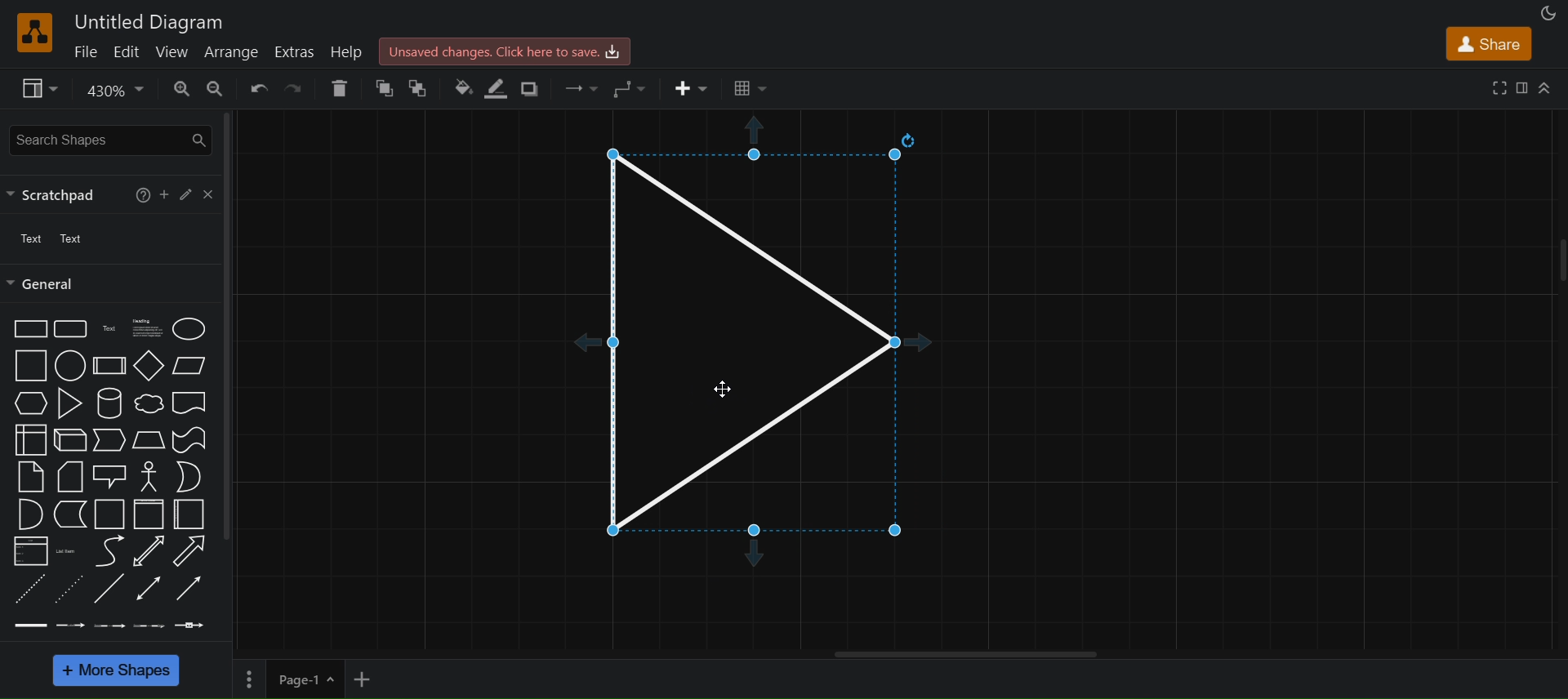 The image size is (1568, 699). I want to click on zoom, so click(113, 91).